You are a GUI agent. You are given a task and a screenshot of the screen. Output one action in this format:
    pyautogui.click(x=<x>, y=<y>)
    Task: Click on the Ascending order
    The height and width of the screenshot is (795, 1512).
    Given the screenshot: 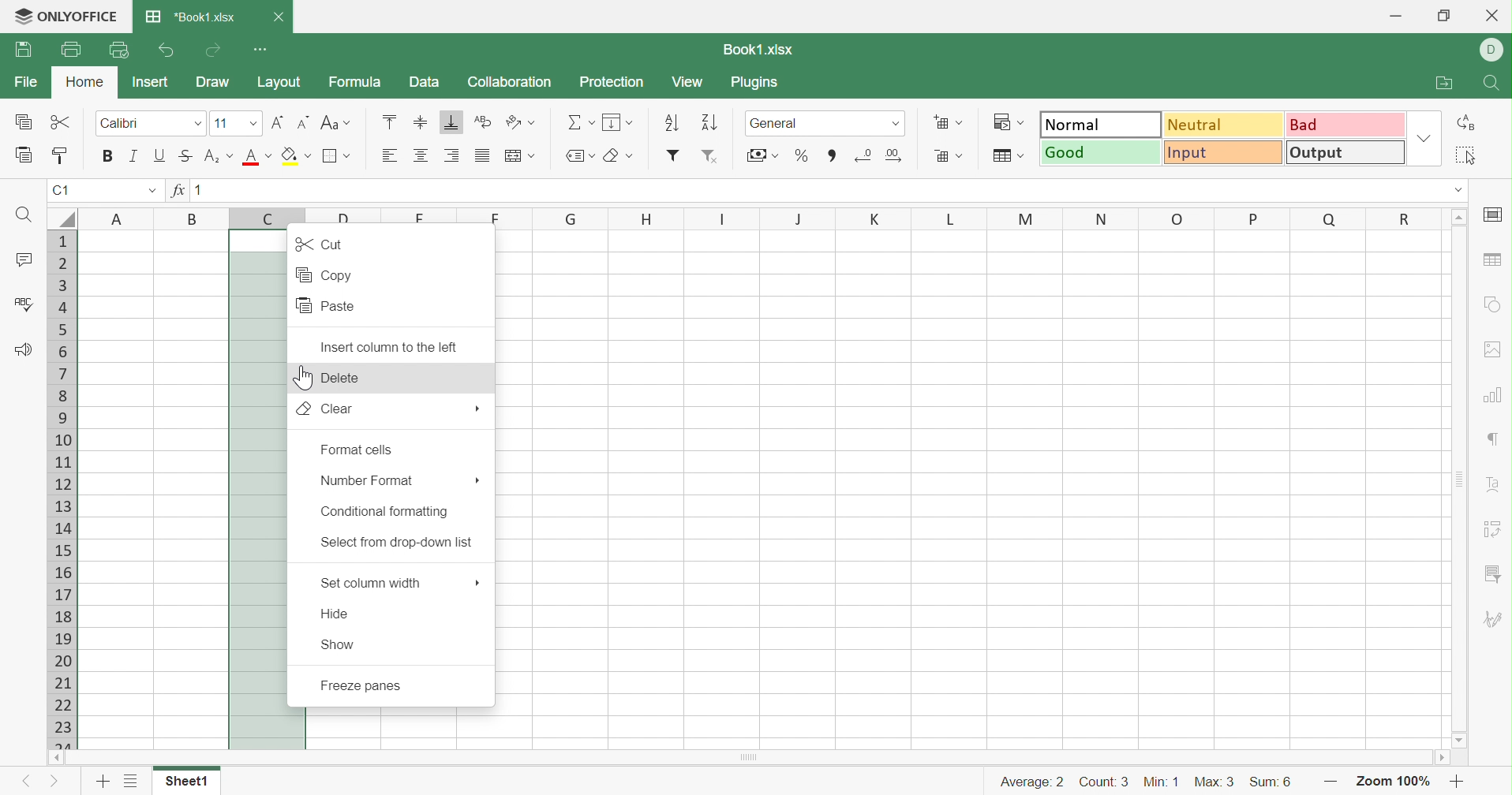 What is the action you would take?
    pyautogui.click(x=671, y=121)
    